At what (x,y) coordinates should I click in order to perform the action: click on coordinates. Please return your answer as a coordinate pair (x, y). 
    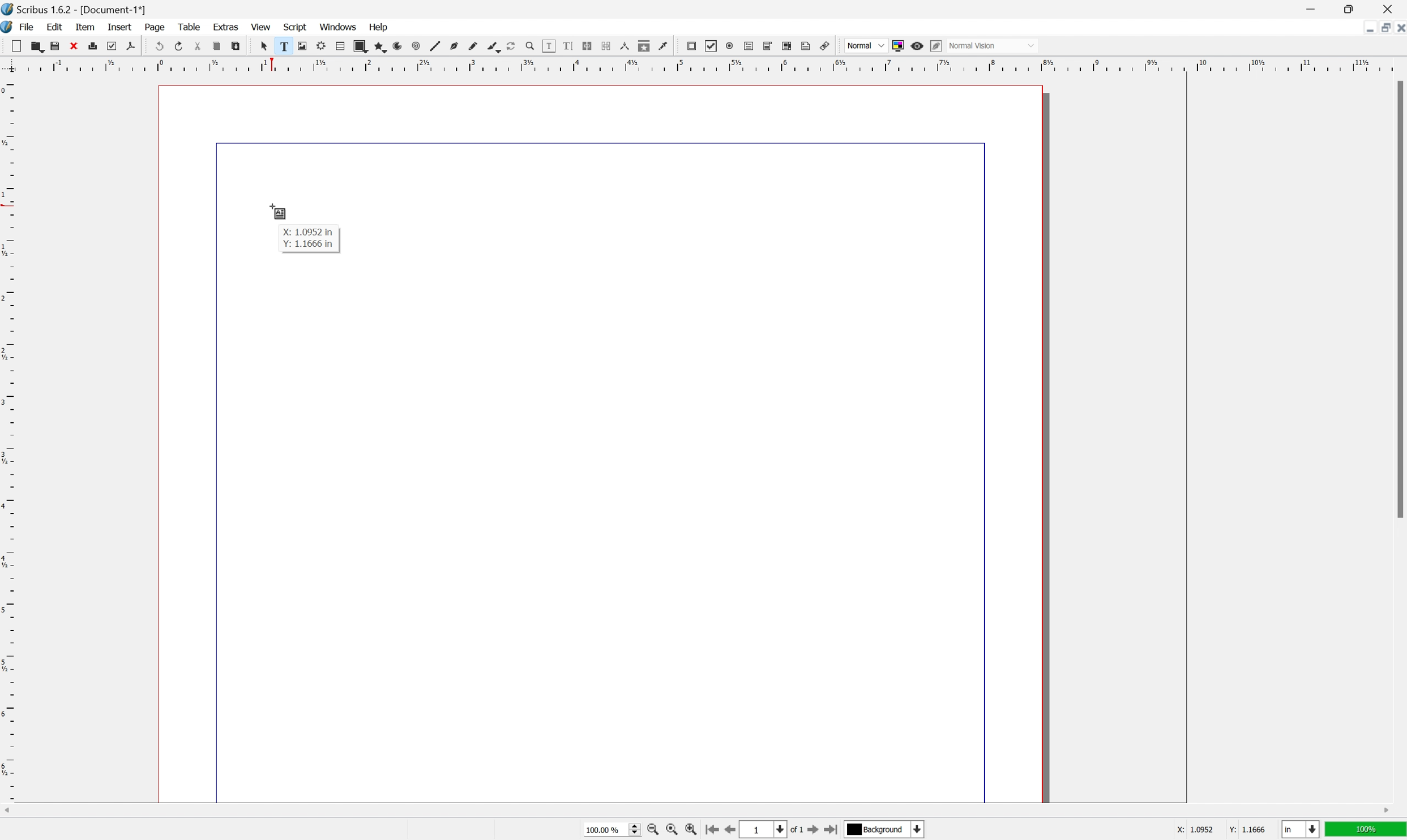
    Looking at the image, I should click on (308, 240).